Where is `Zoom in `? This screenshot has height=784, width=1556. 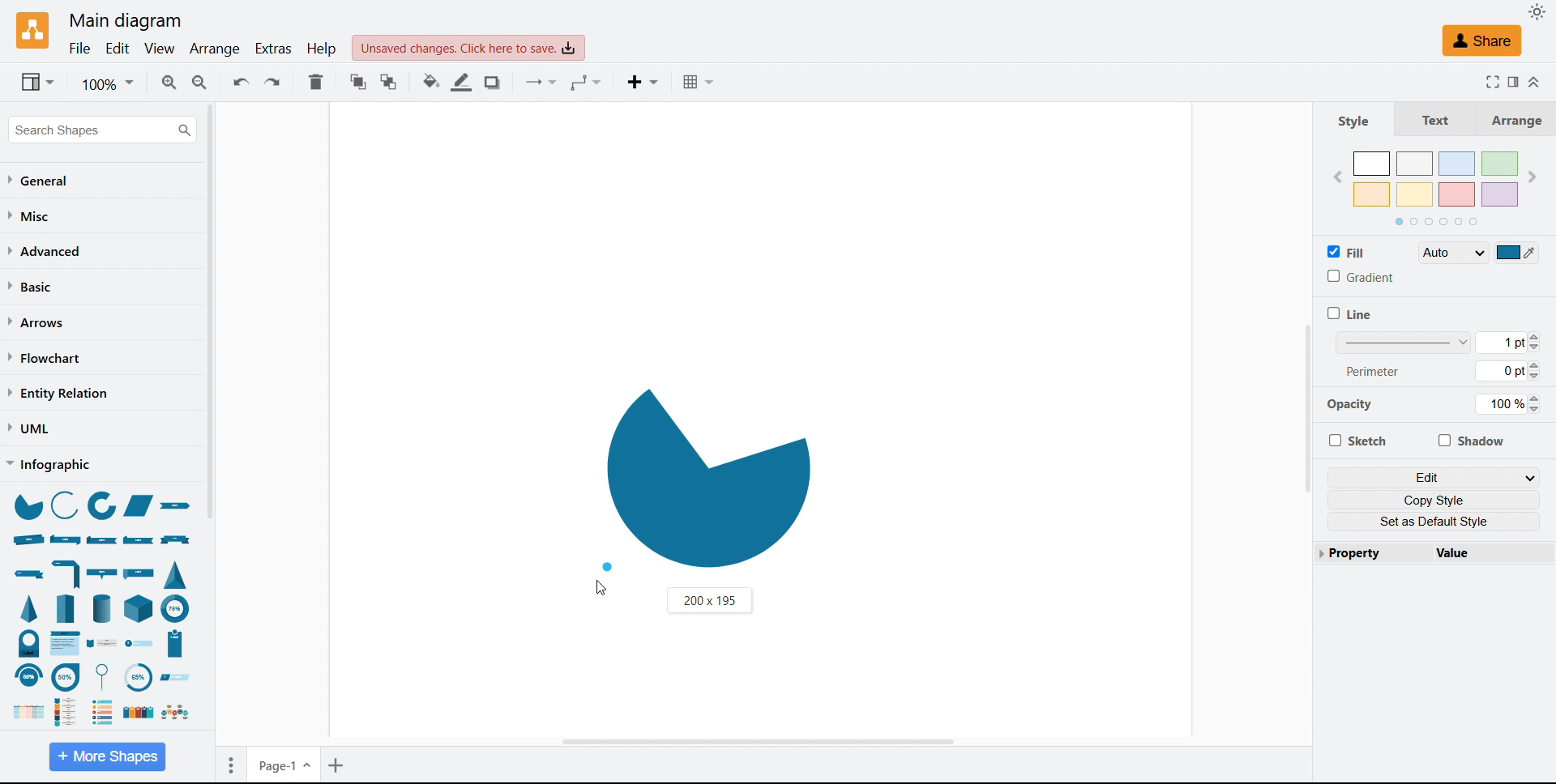
Zoom in  is located at coordinates (169, 82).